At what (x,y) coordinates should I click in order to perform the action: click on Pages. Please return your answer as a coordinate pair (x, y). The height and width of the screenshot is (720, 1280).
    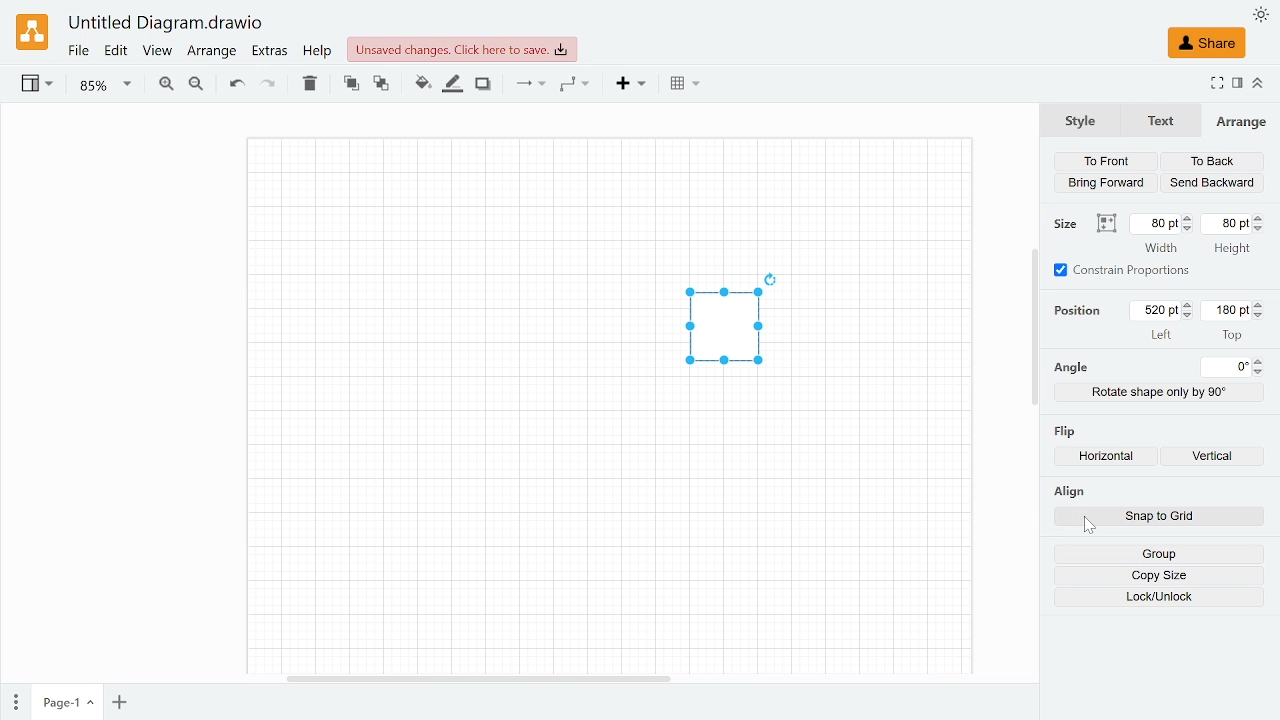
    Looking at the image, I should click on (14, 703).